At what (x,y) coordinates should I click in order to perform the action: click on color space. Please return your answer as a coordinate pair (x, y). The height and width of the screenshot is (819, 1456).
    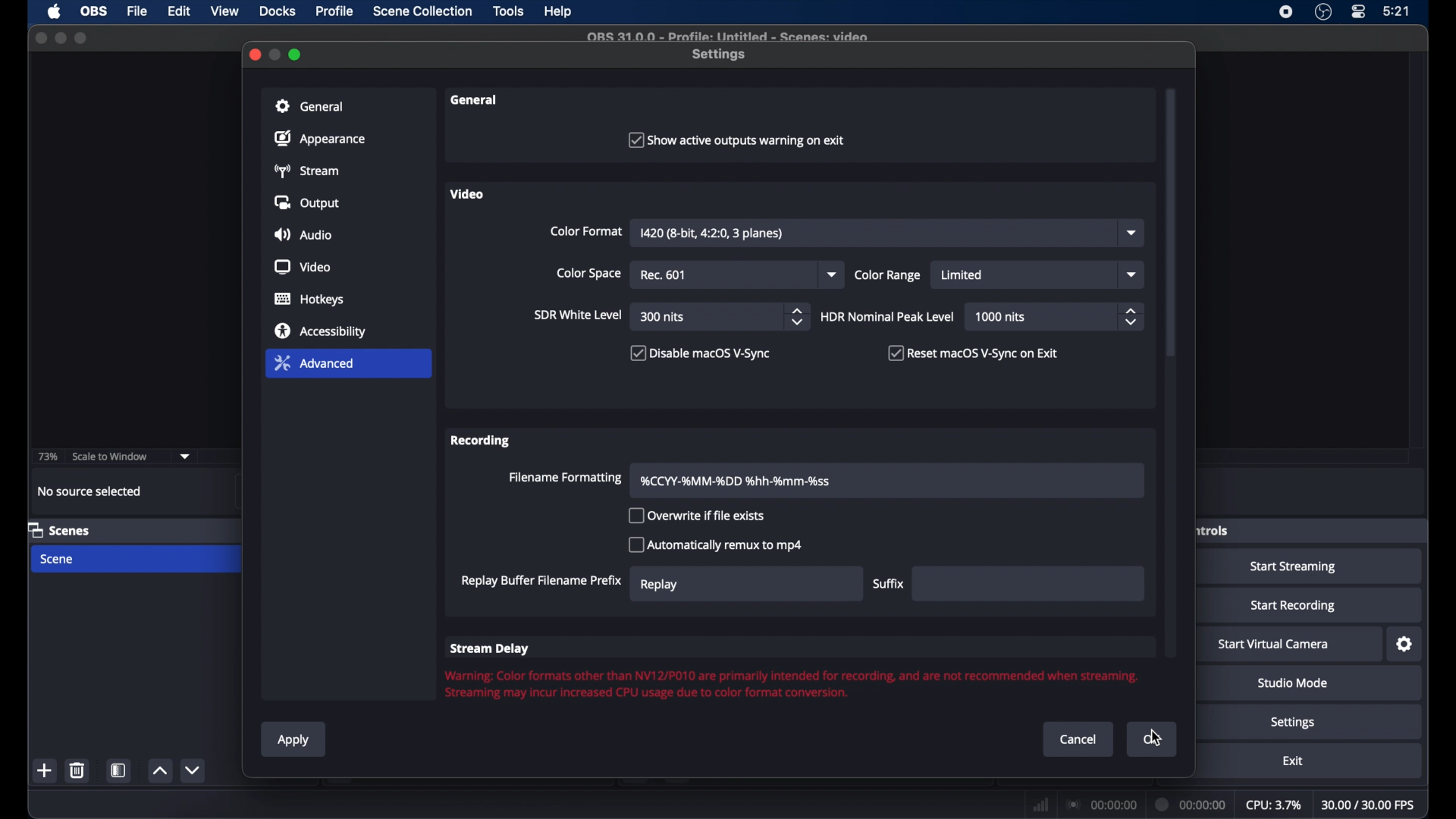
    Looking at the image, I should click on (588, 273).